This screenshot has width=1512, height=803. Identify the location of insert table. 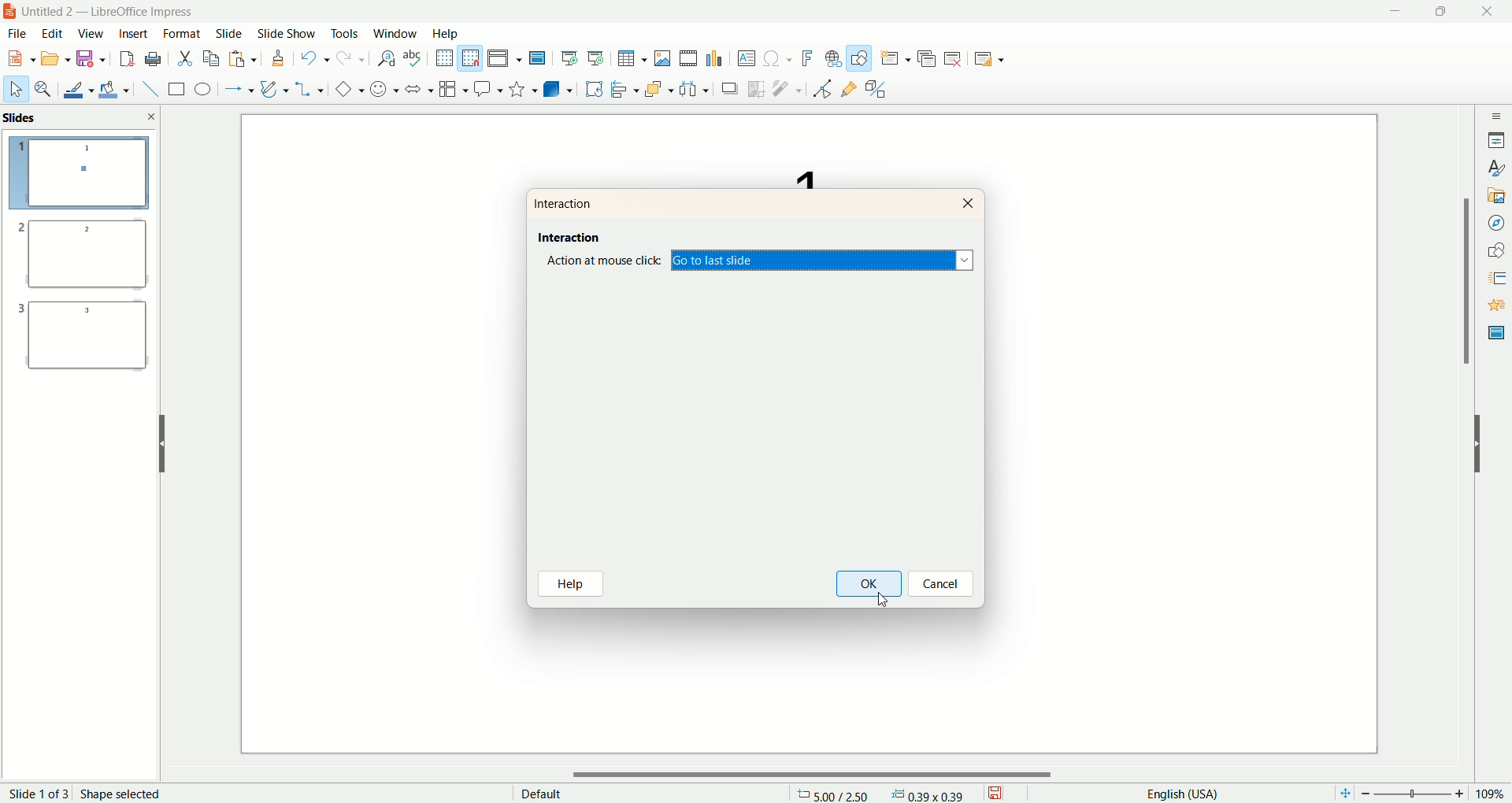
(632, 58).